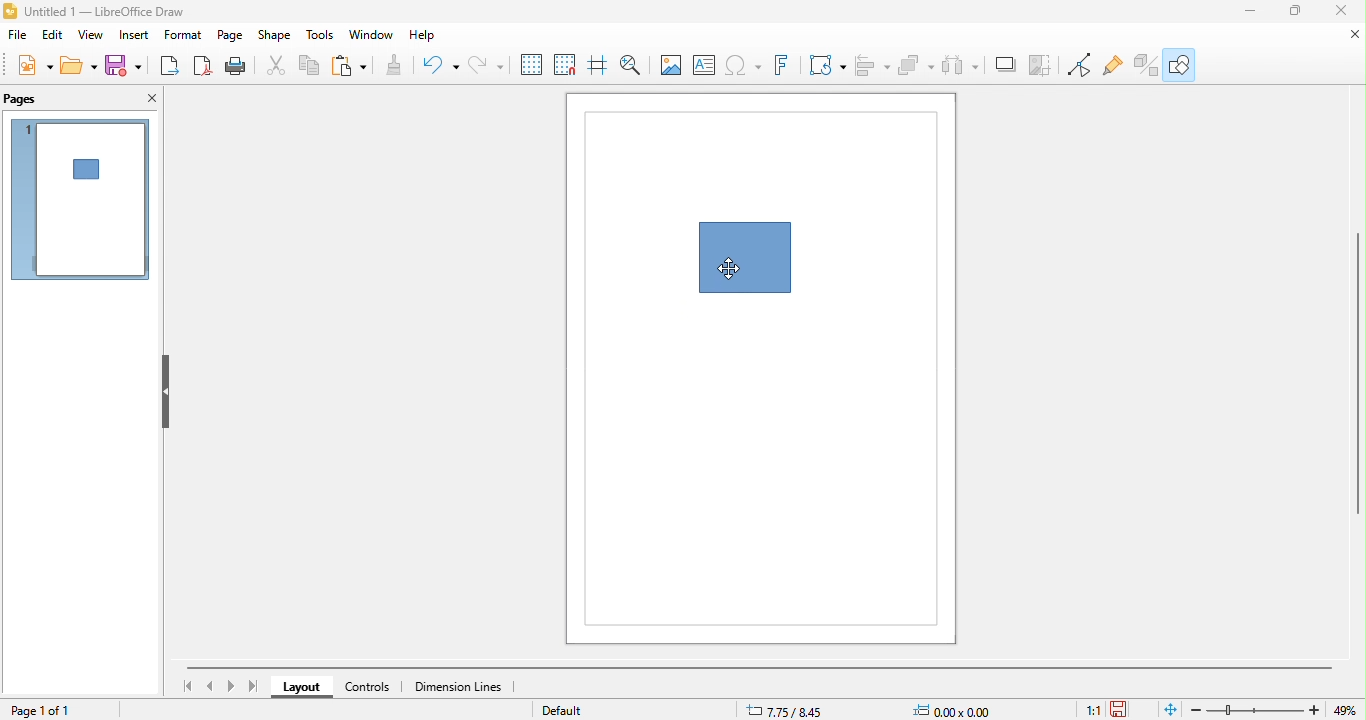 The image size is (1366, 720). Describe the element at coordinates (1126, 709) in the screenshot. I see `the document has been modified since the last save` at that location.